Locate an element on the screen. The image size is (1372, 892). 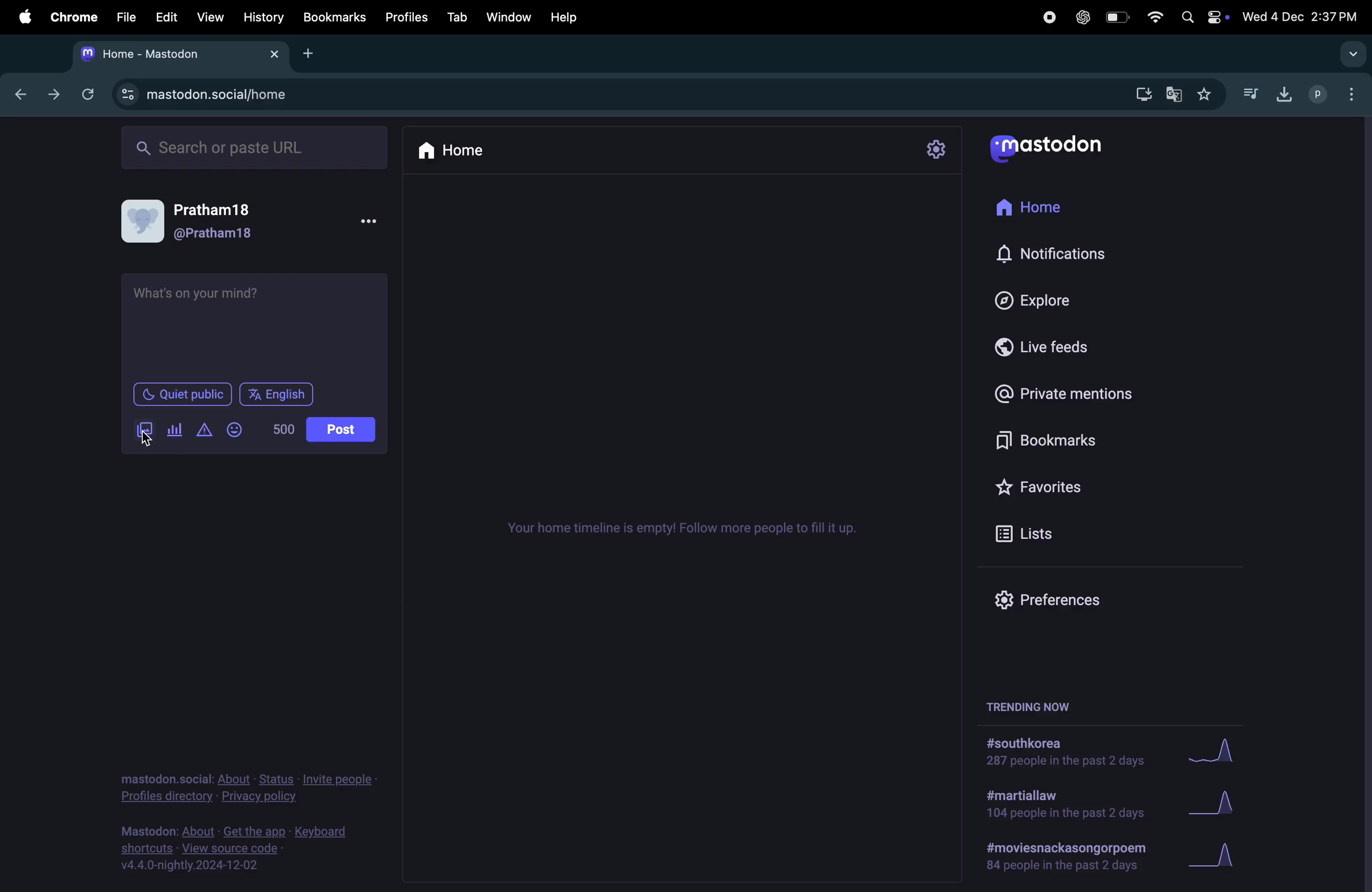
add tab is located at coordinates (318, 53).